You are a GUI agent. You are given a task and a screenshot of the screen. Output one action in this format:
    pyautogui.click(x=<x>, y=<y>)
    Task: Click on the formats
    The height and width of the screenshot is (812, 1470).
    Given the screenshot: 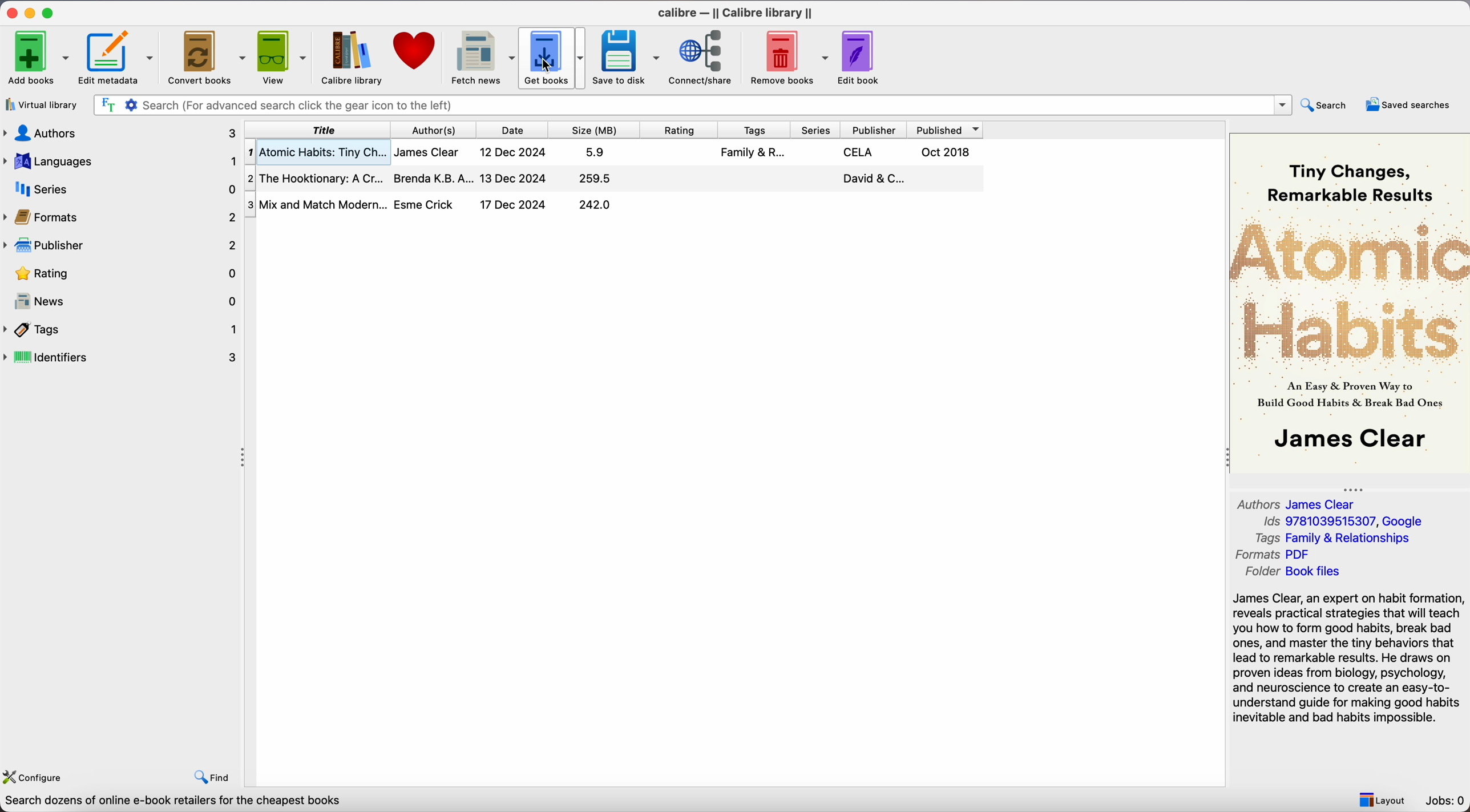 What is the action you would take?
    pyautogui.click(x=123, y=217)
    